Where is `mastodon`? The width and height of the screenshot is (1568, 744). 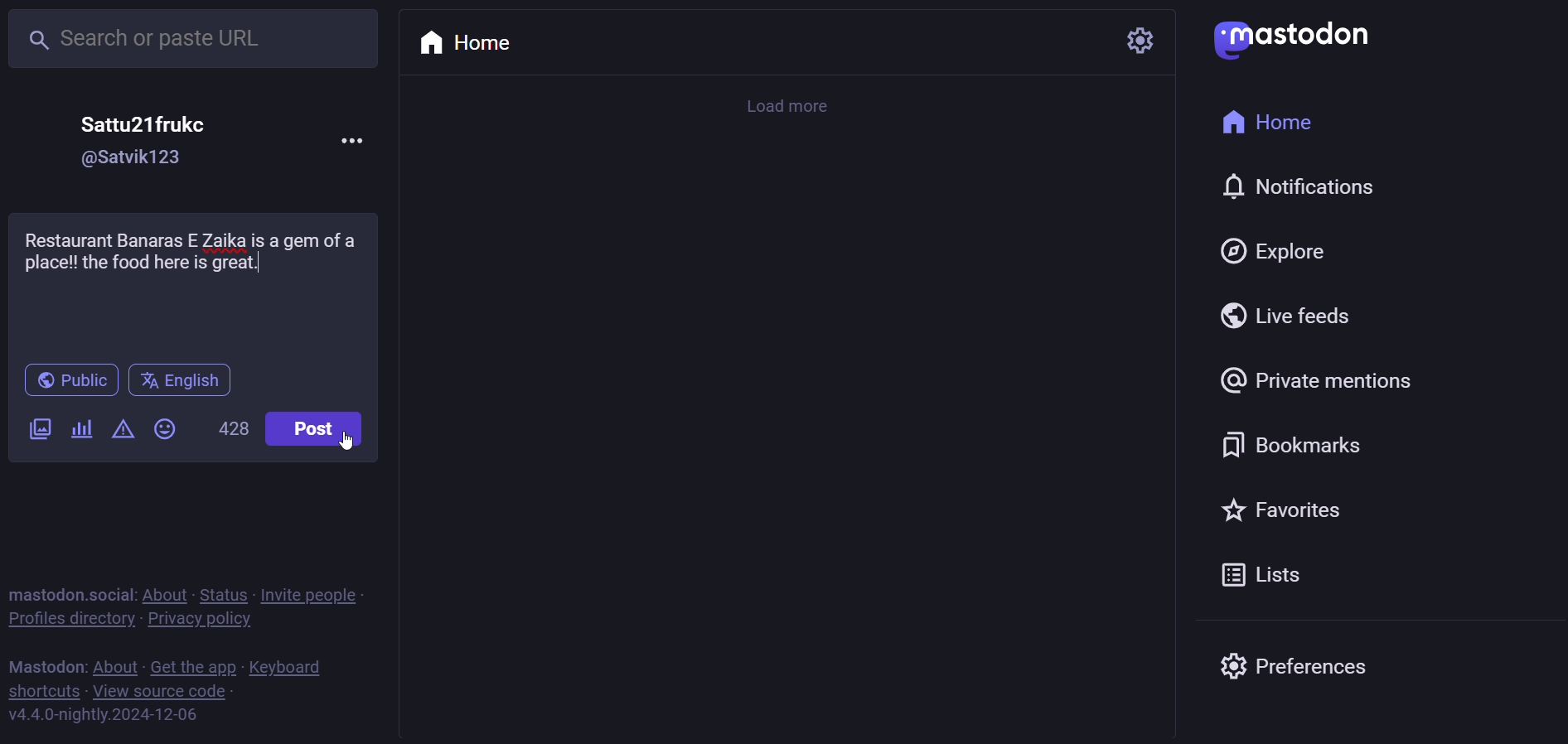
mastodon is located at coordinates (1295, 37).